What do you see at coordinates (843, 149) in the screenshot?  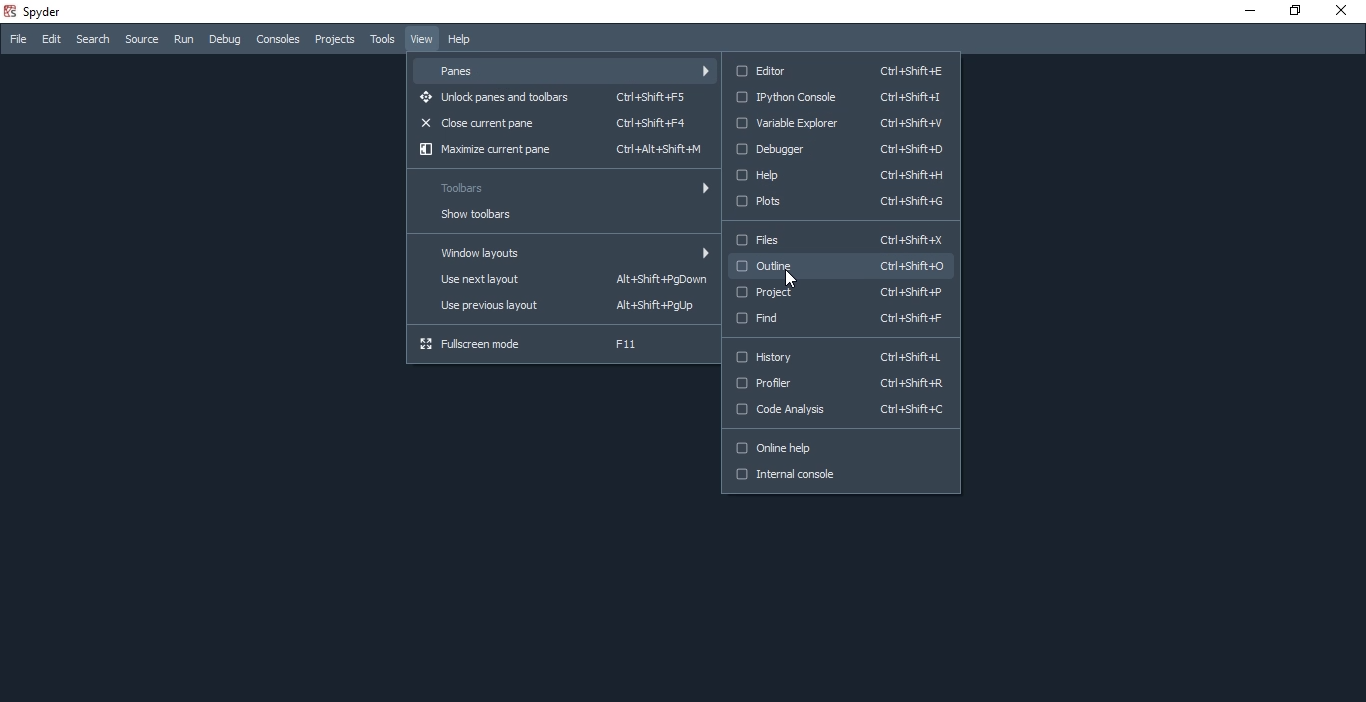 I see `Debugger` at bounding box center [843, 149].